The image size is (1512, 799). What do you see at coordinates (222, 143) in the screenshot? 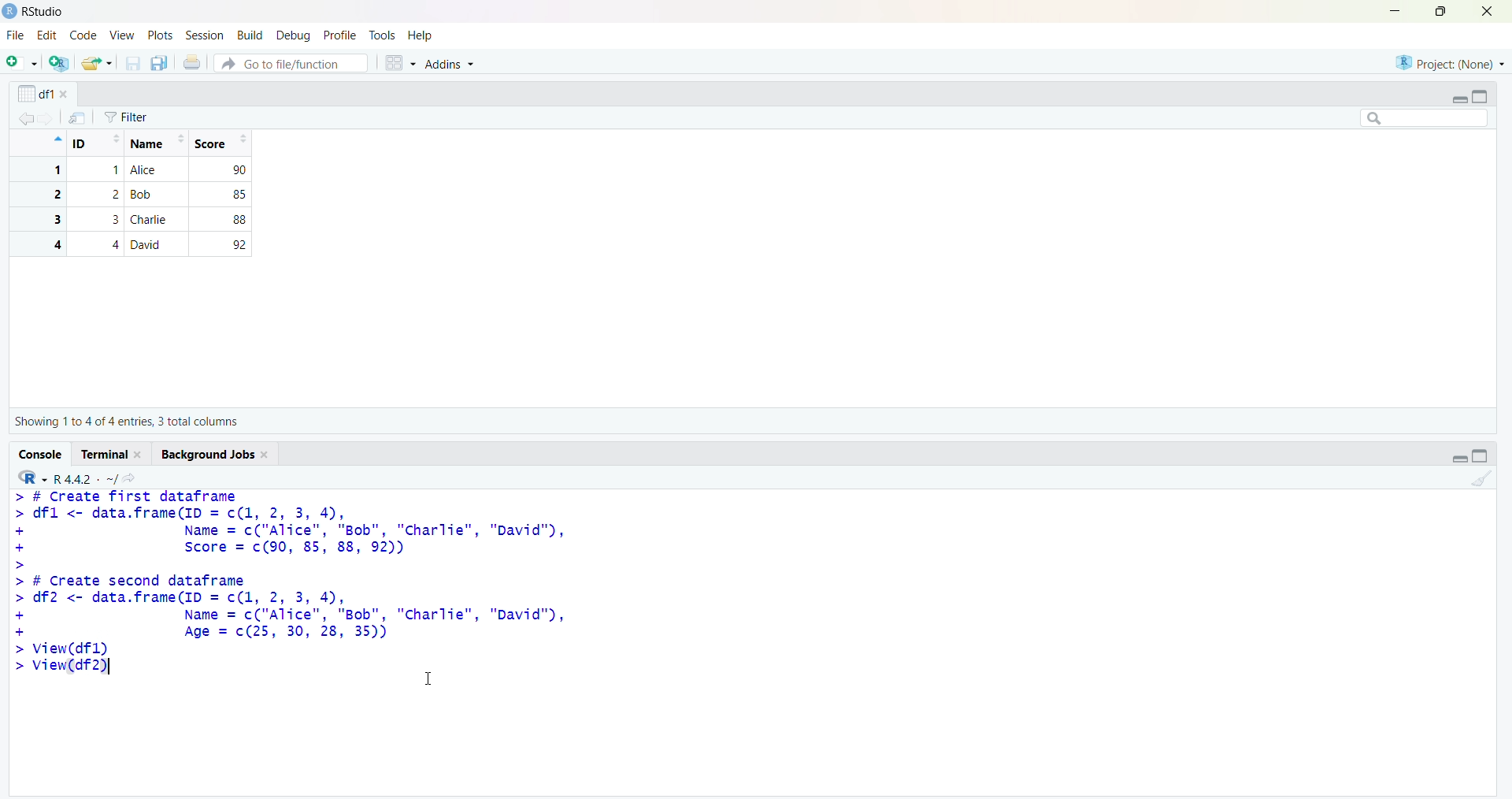
I see `Score` at bounding box center [222, 143].